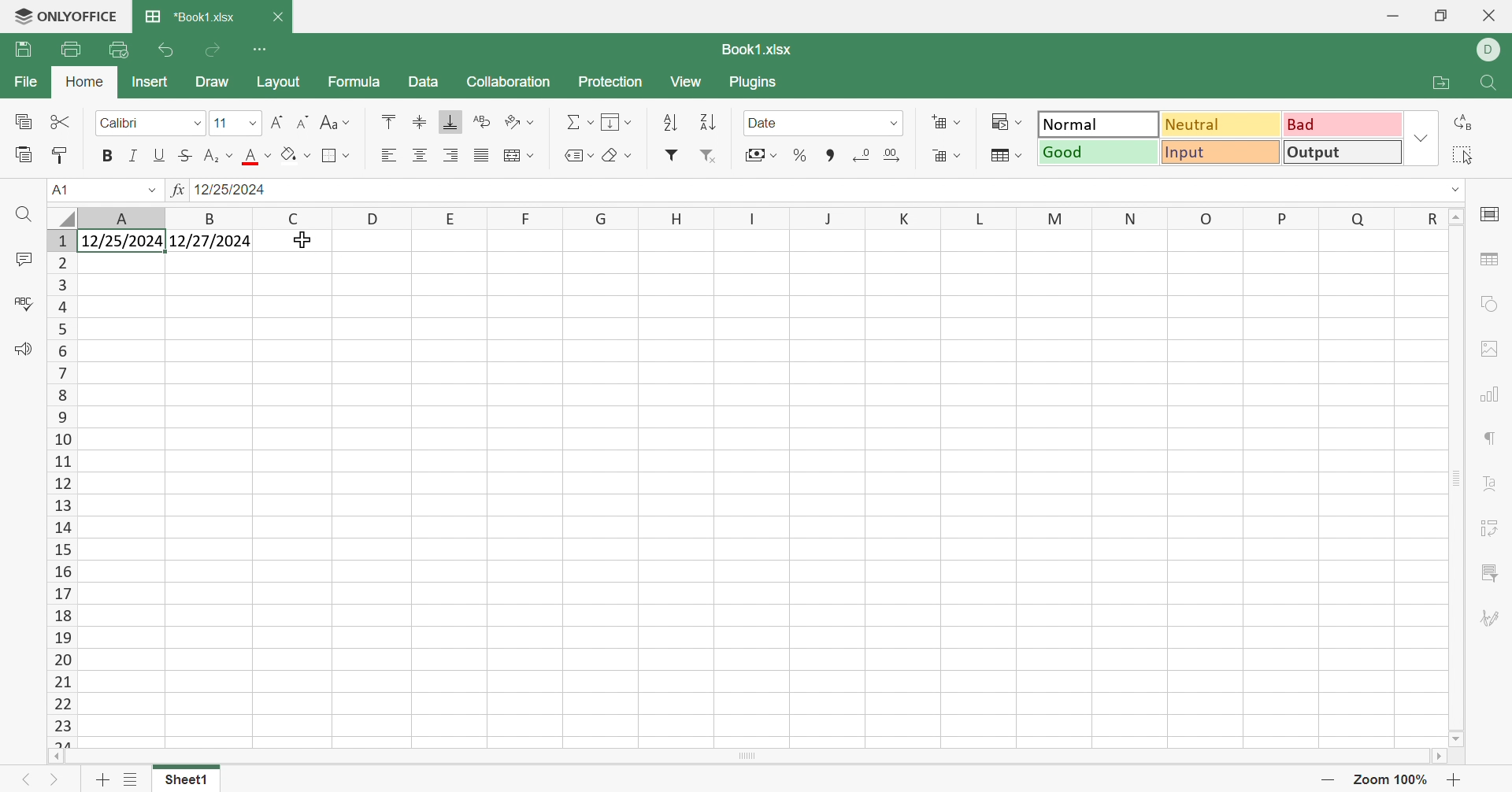  Describe the element at coordinates (63, 124) in the screenshot. I see `Cut` at that location.